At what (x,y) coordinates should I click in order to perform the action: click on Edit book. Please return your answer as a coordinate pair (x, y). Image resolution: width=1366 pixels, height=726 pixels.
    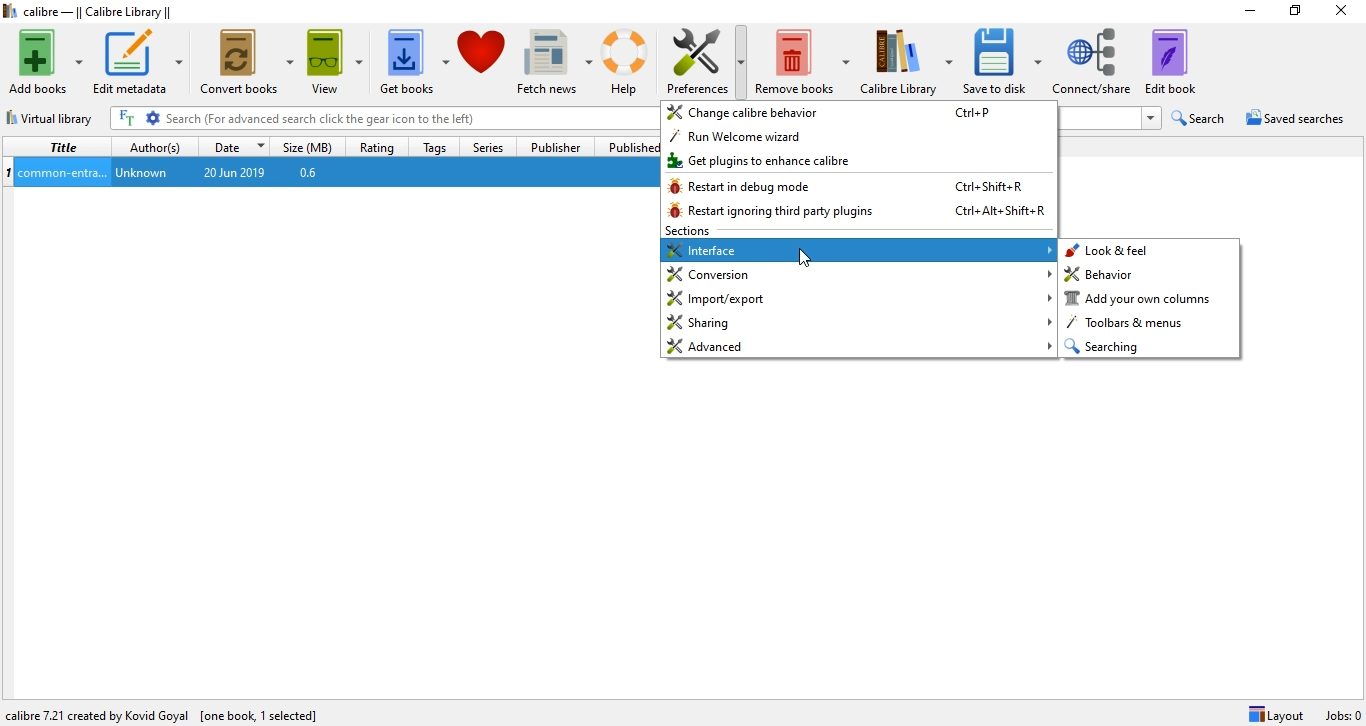
    Looking at the image, I should click on (1180, 61).